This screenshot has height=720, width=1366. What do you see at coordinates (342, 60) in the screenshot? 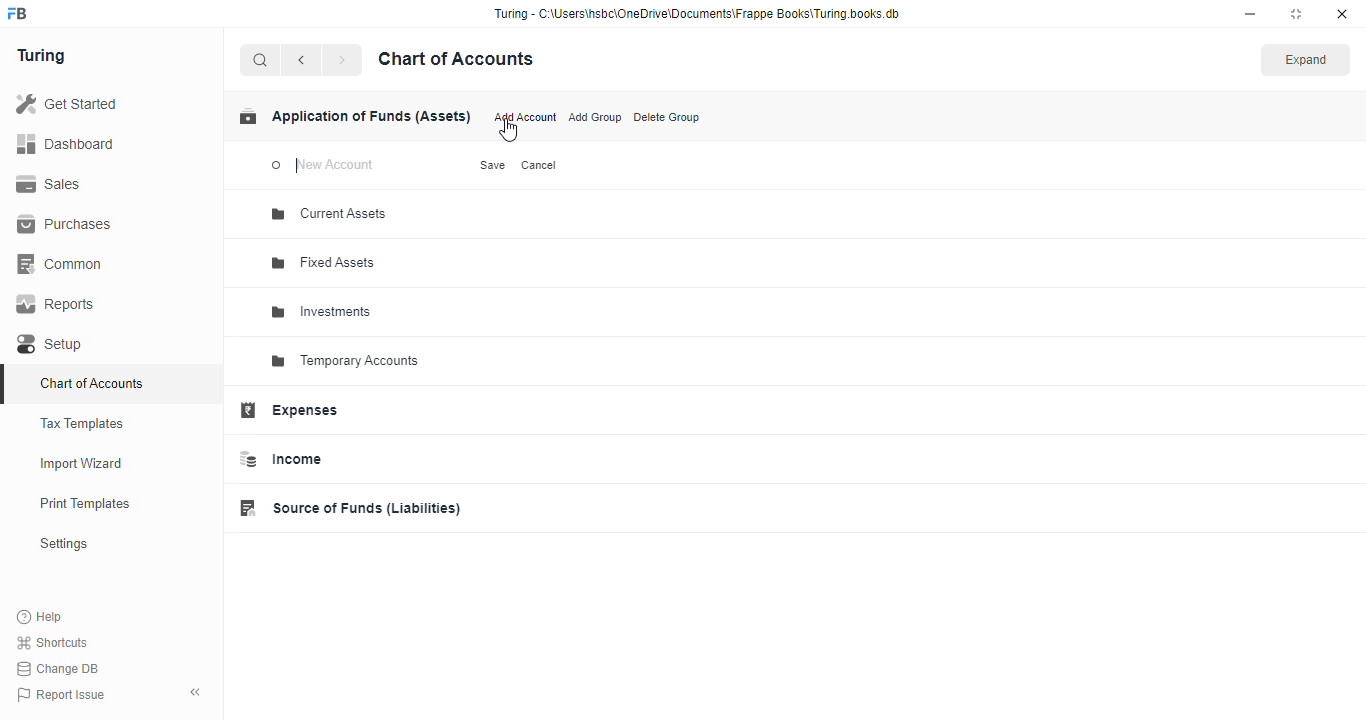
I see `forward` at bounding box center [342, 60].